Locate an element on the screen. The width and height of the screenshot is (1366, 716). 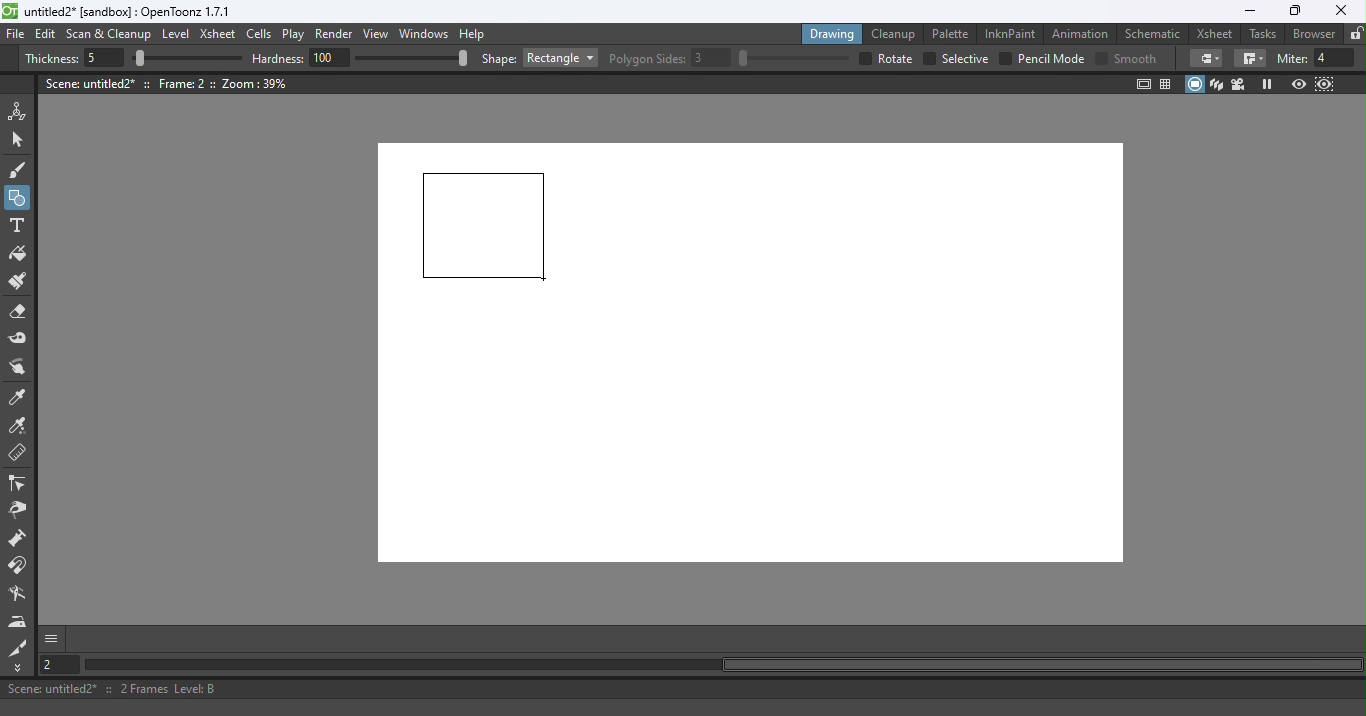
Horizontal scroll bar is located at coordinates (722, 665).